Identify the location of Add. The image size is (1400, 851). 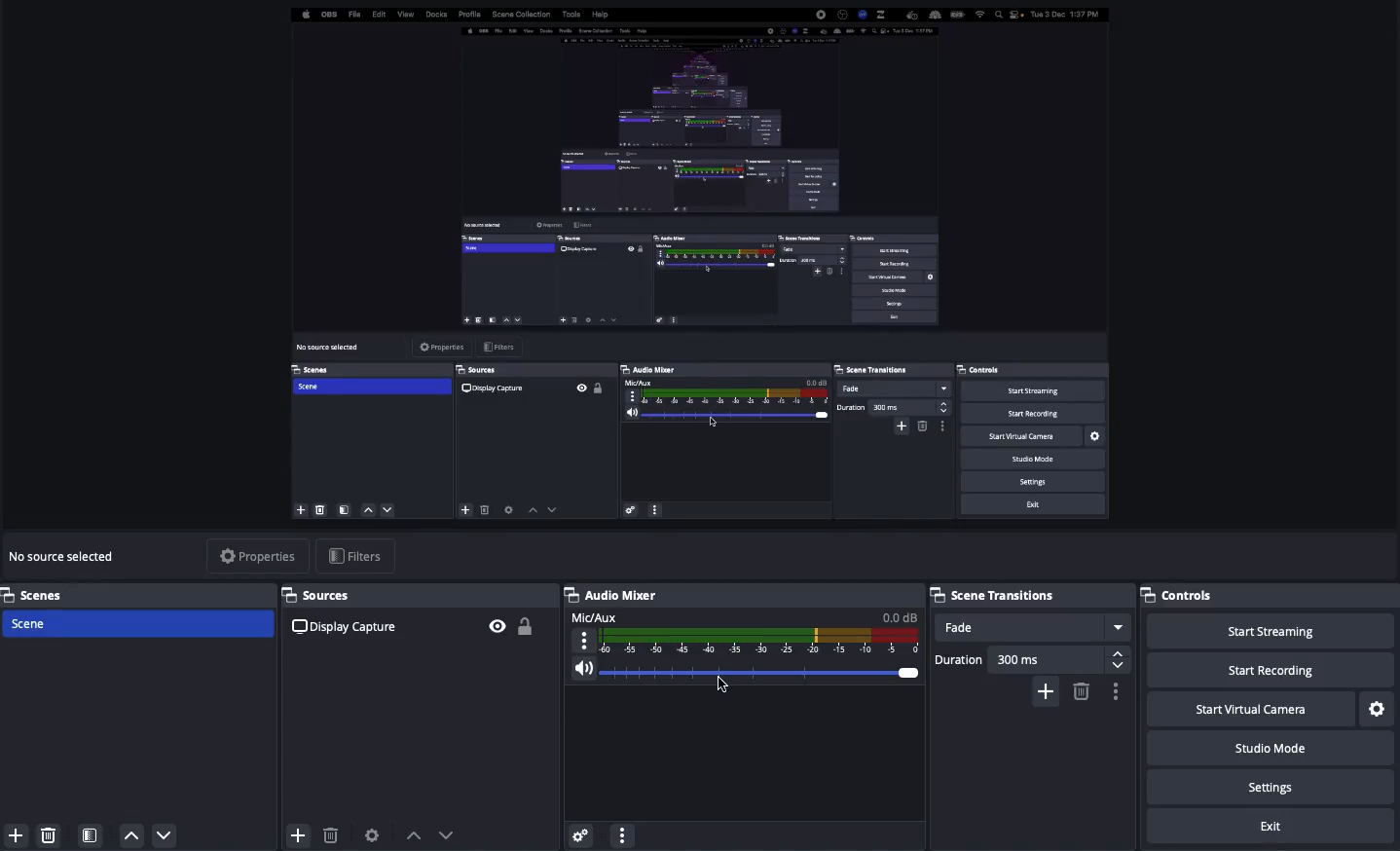
(13, 835).